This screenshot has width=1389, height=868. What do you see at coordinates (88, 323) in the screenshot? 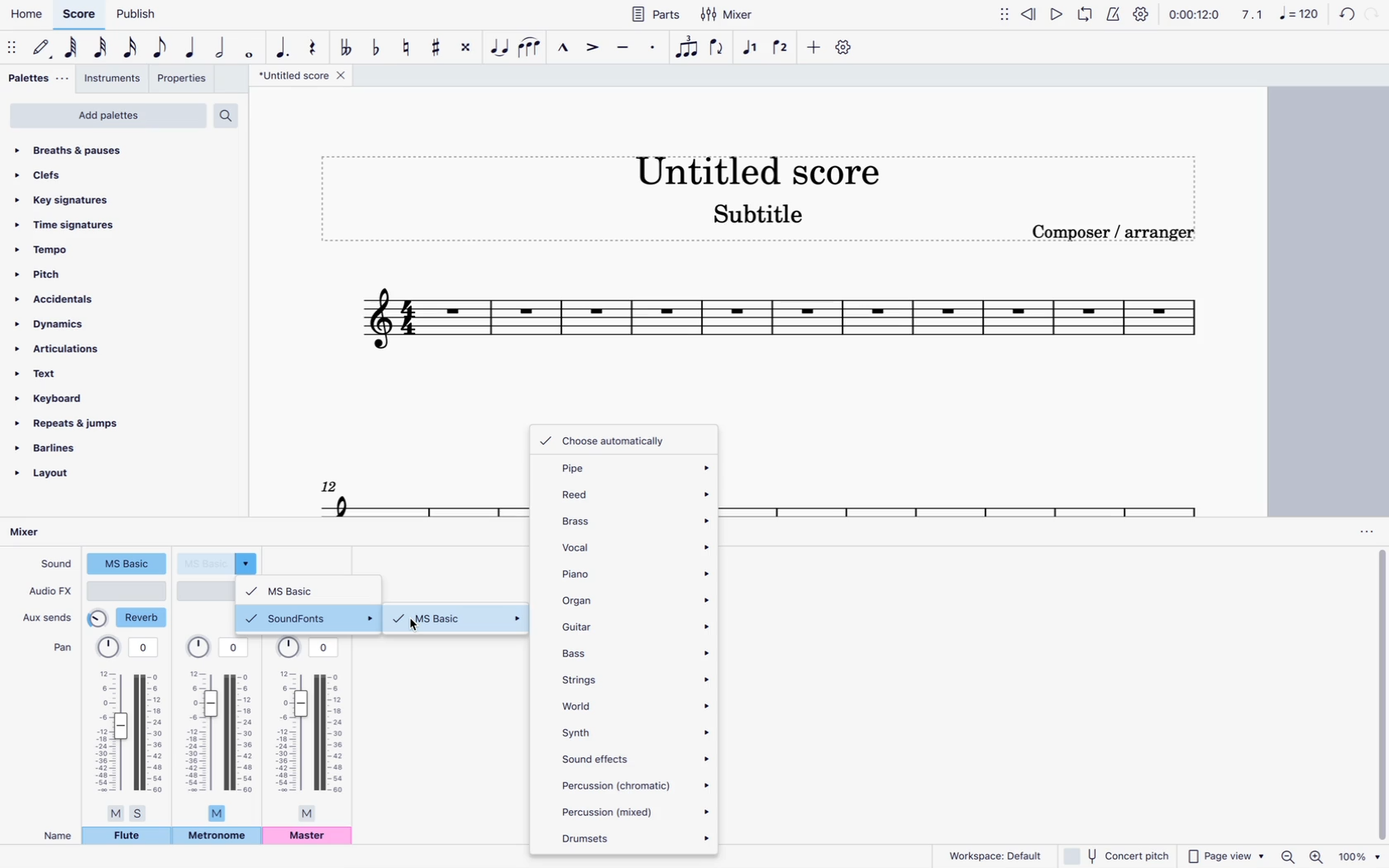
I see `dynamics` at bounding box center [88, 323].